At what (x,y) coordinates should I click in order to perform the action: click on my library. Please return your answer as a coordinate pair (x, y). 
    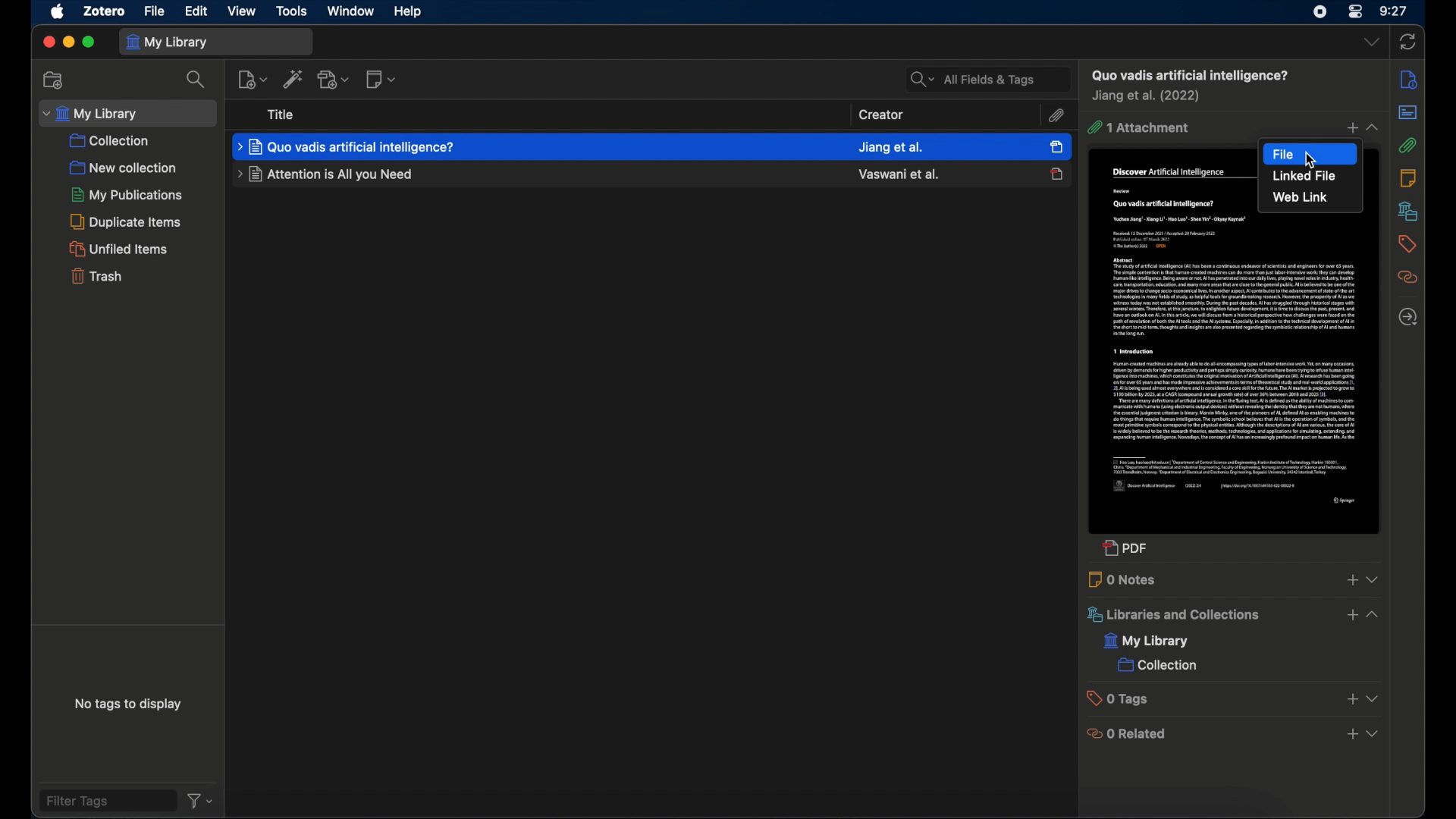
    Looking at the image, I should click on (216, 41).